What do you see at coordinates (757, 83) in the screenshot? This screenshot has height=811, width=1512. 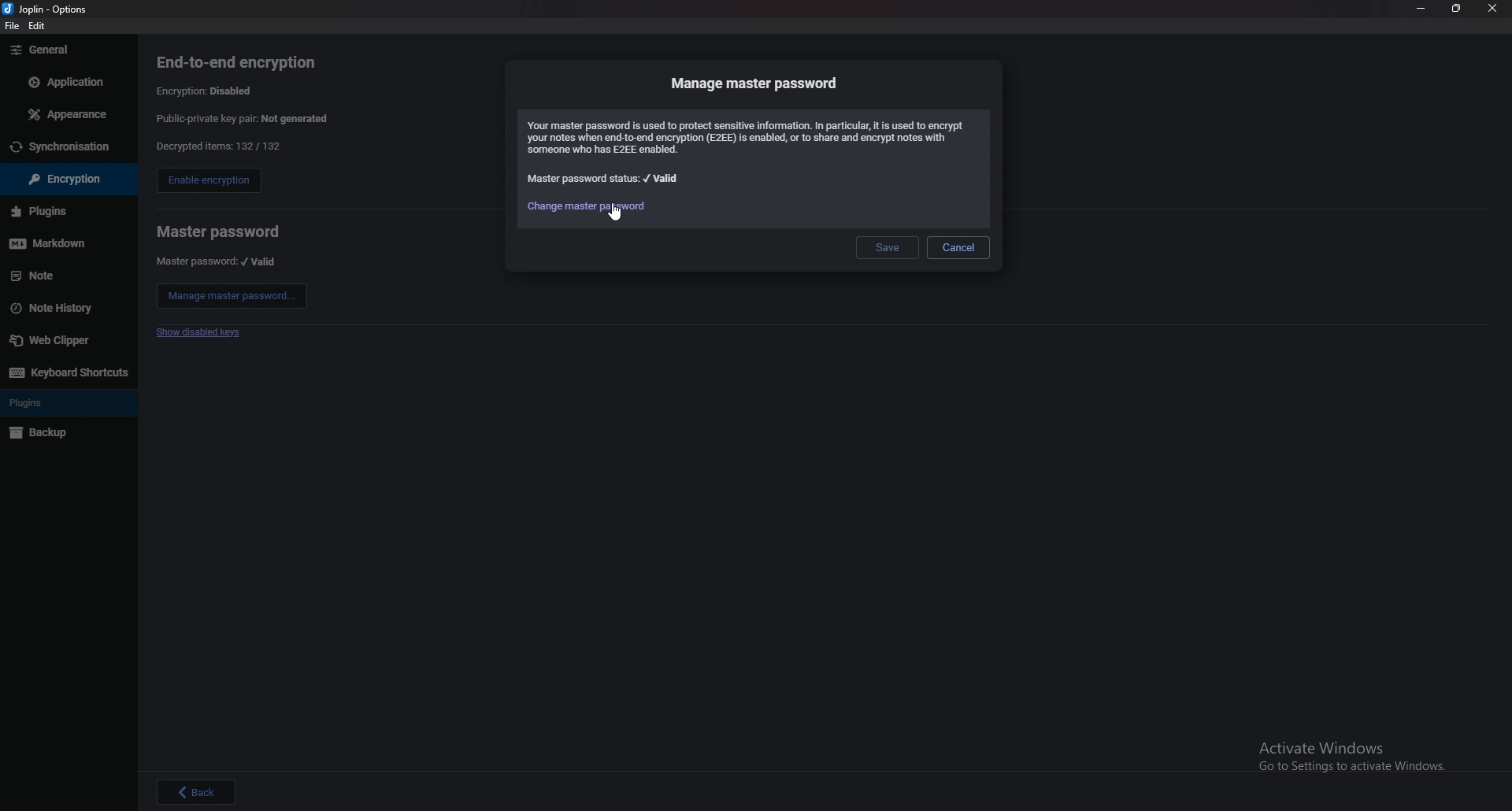 I see `manage master password` at bounding box center [757, 83].